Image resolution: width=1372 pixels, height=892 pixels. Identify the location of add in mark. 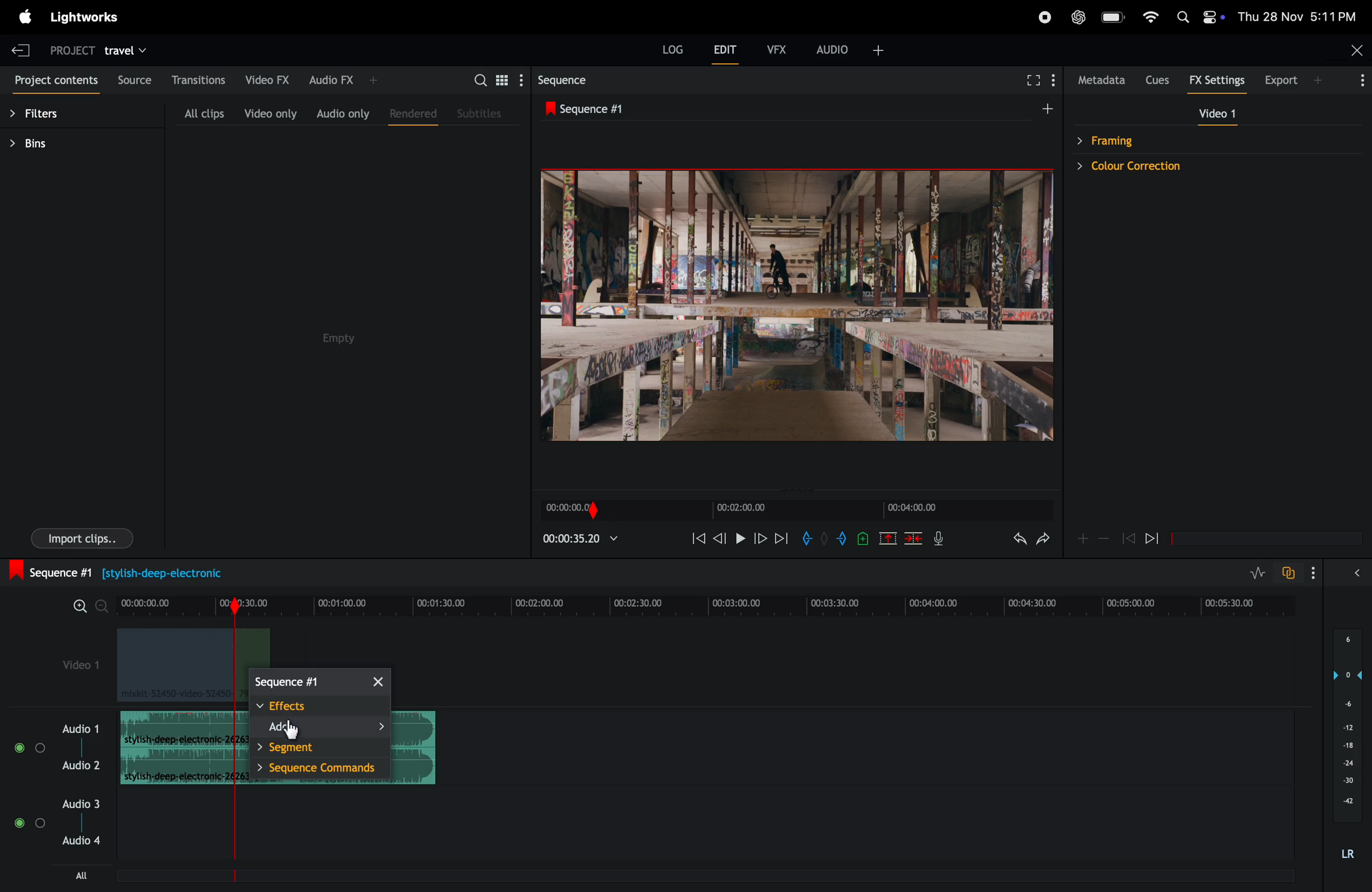
(809, 539).